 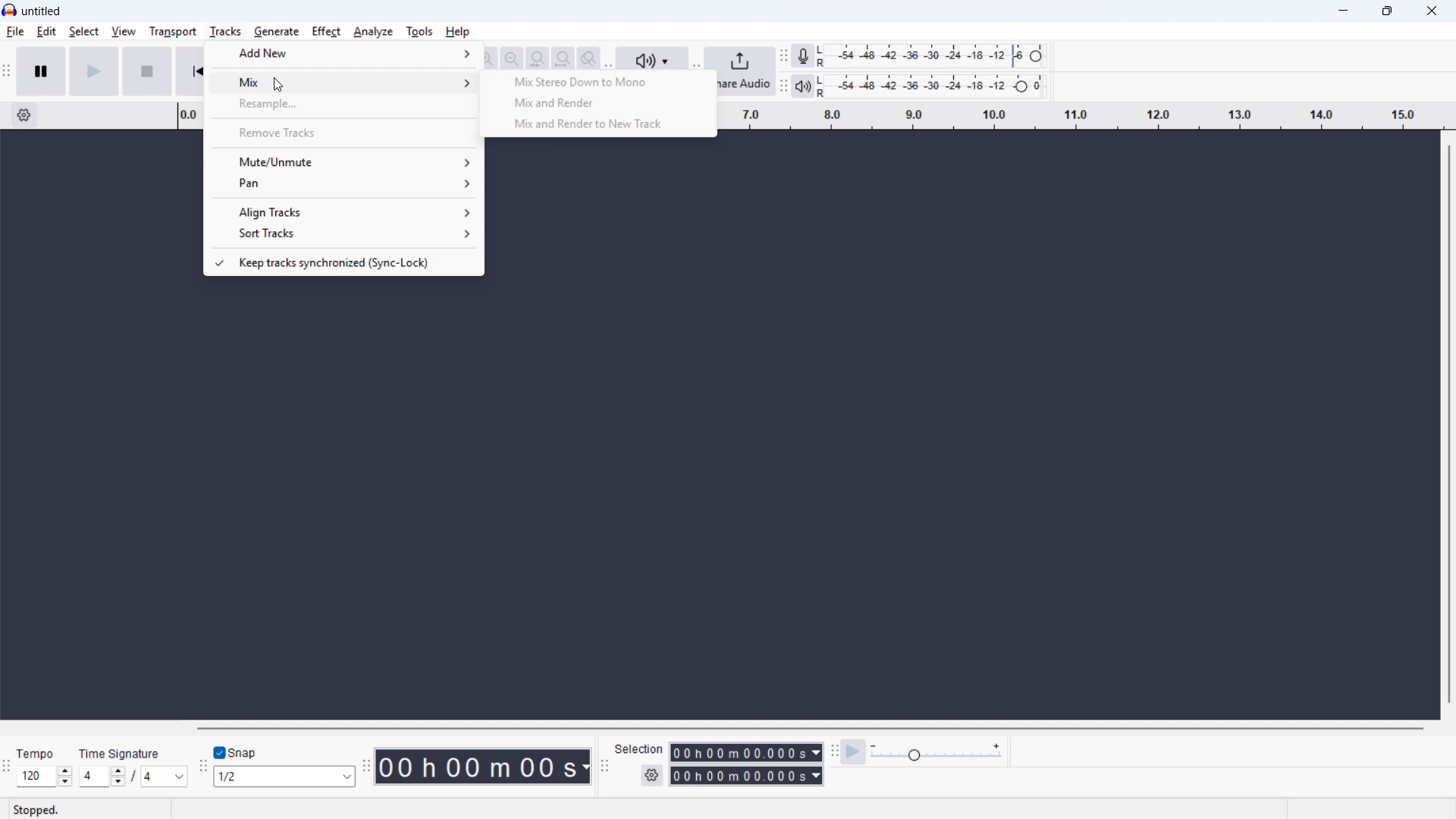 I want to click on Timeline settings , so click(x=23, y=115).